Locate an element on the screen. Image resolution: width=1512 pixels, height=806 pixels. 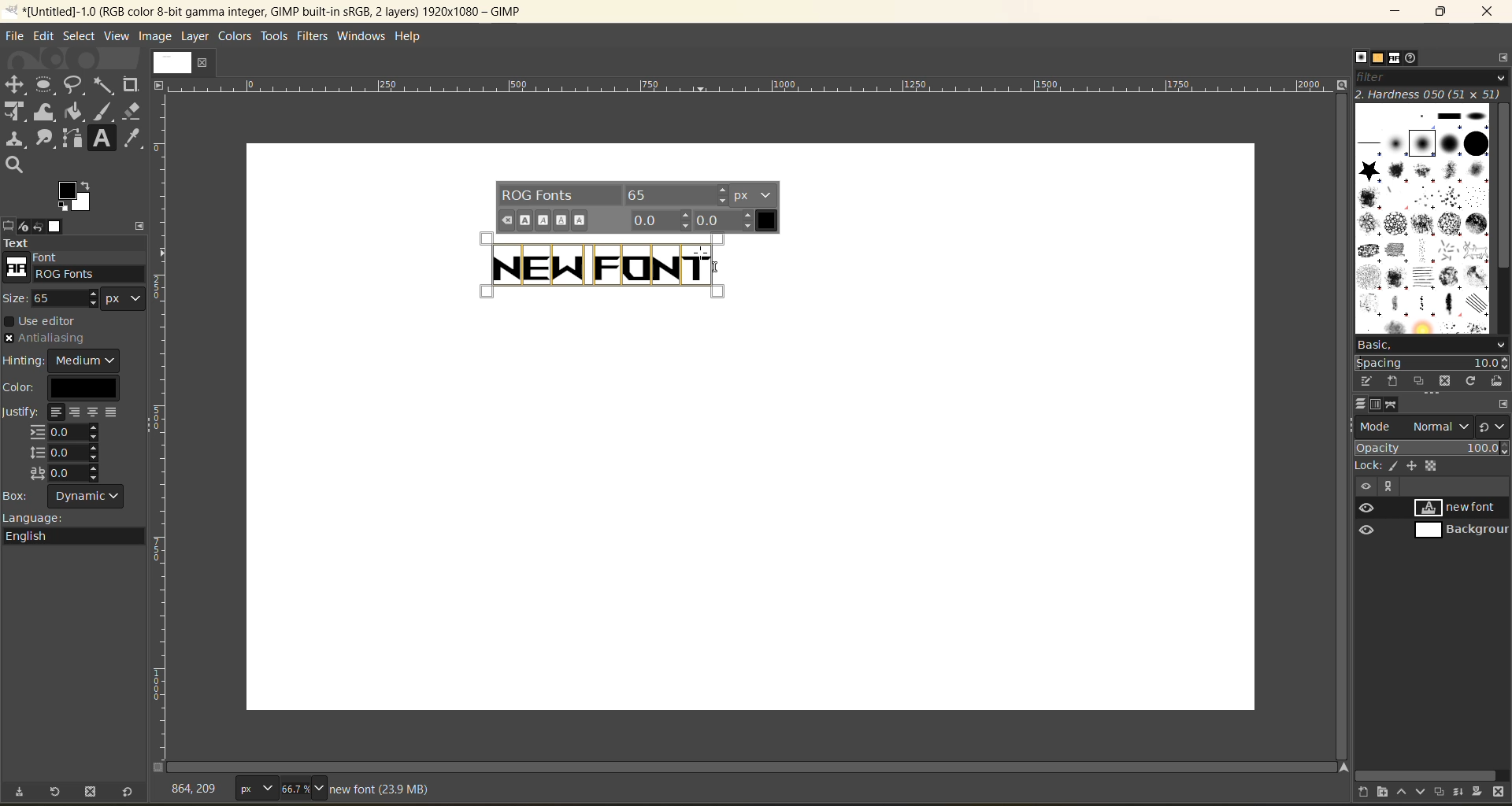
text is located at coordinates (600, 264).